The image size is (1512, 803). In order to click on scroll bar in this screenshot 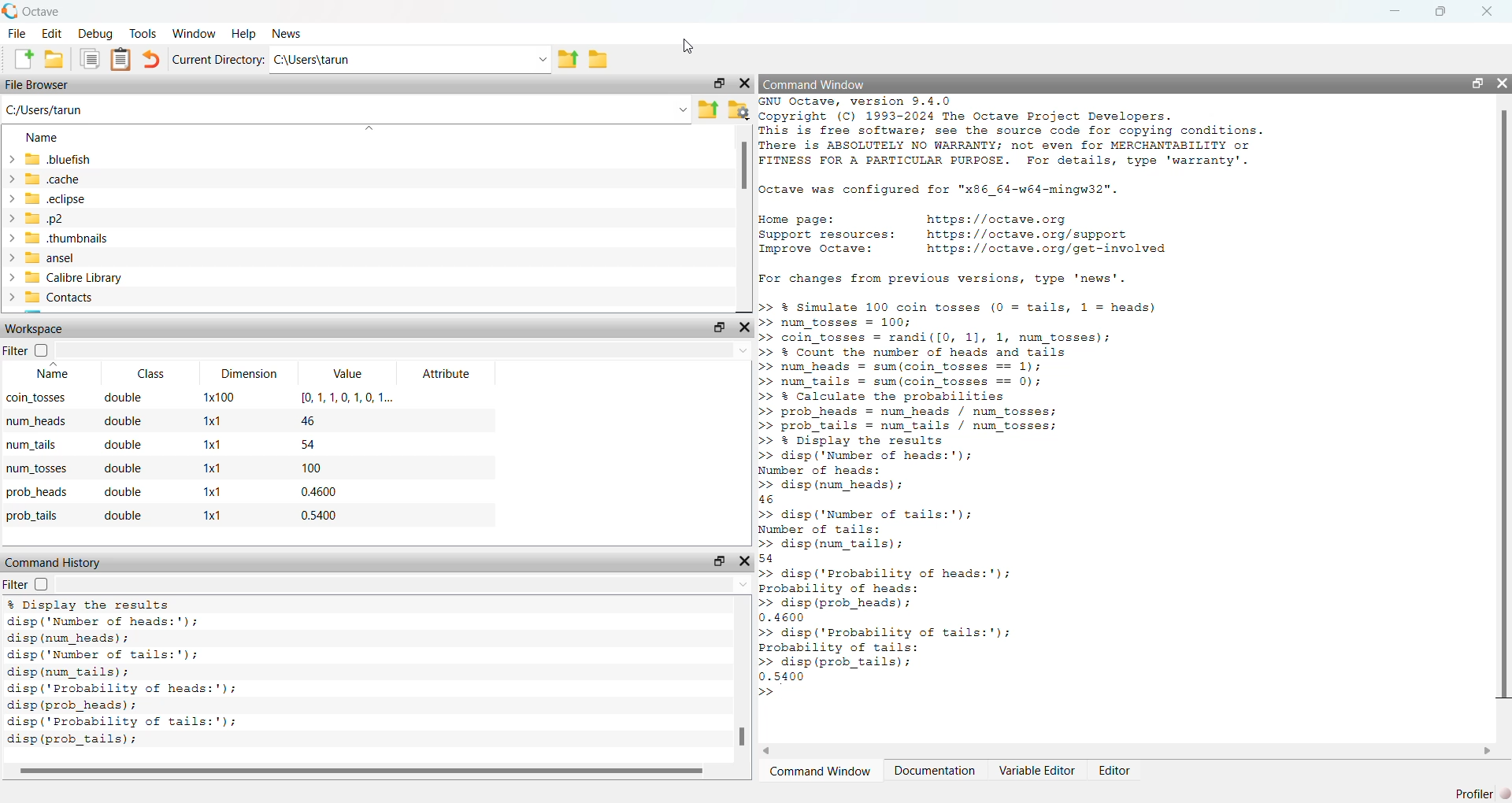, I will do `click(741, 736)`.